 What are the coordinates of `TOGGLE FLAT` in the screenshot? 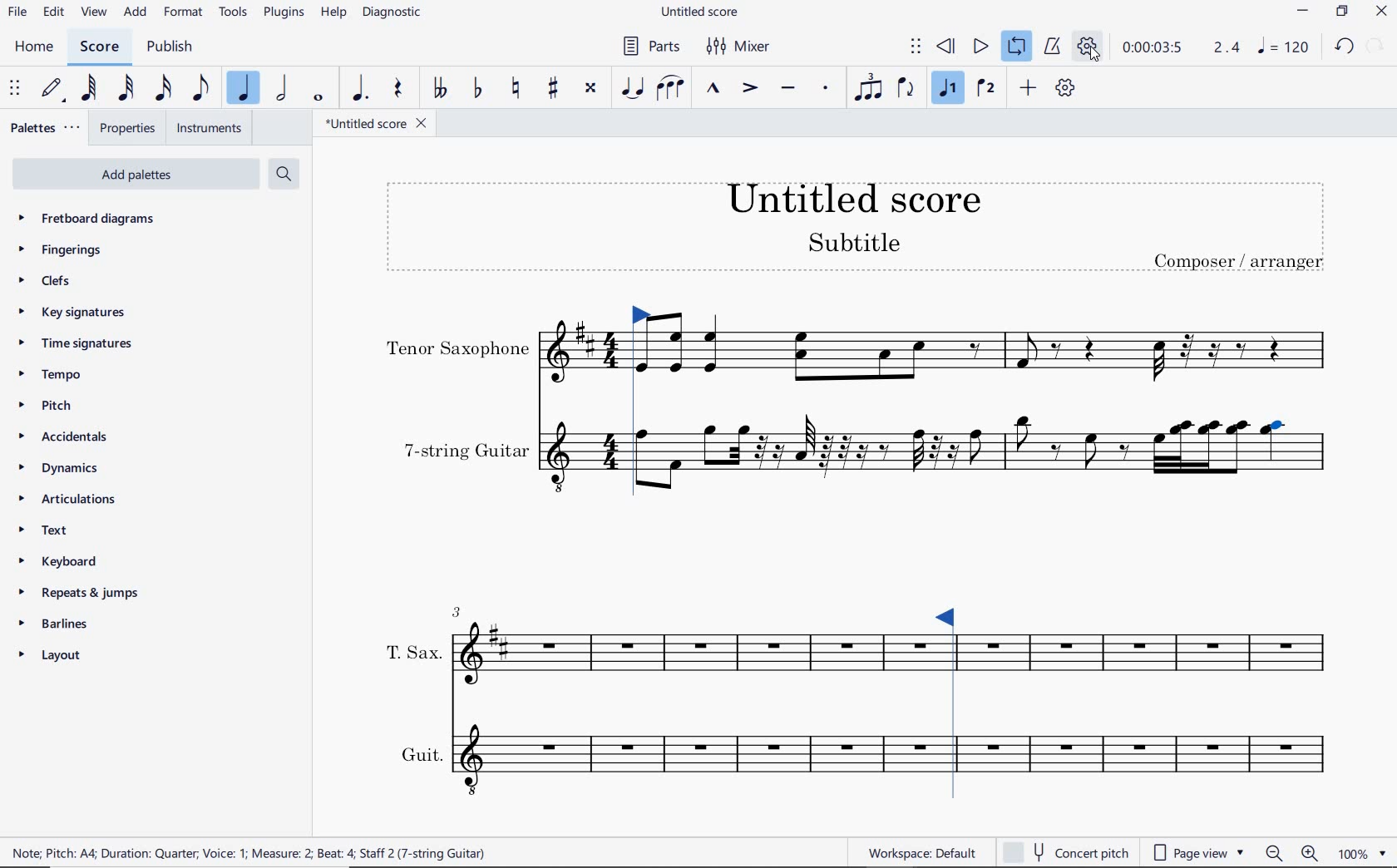 It's located at (475, 89).